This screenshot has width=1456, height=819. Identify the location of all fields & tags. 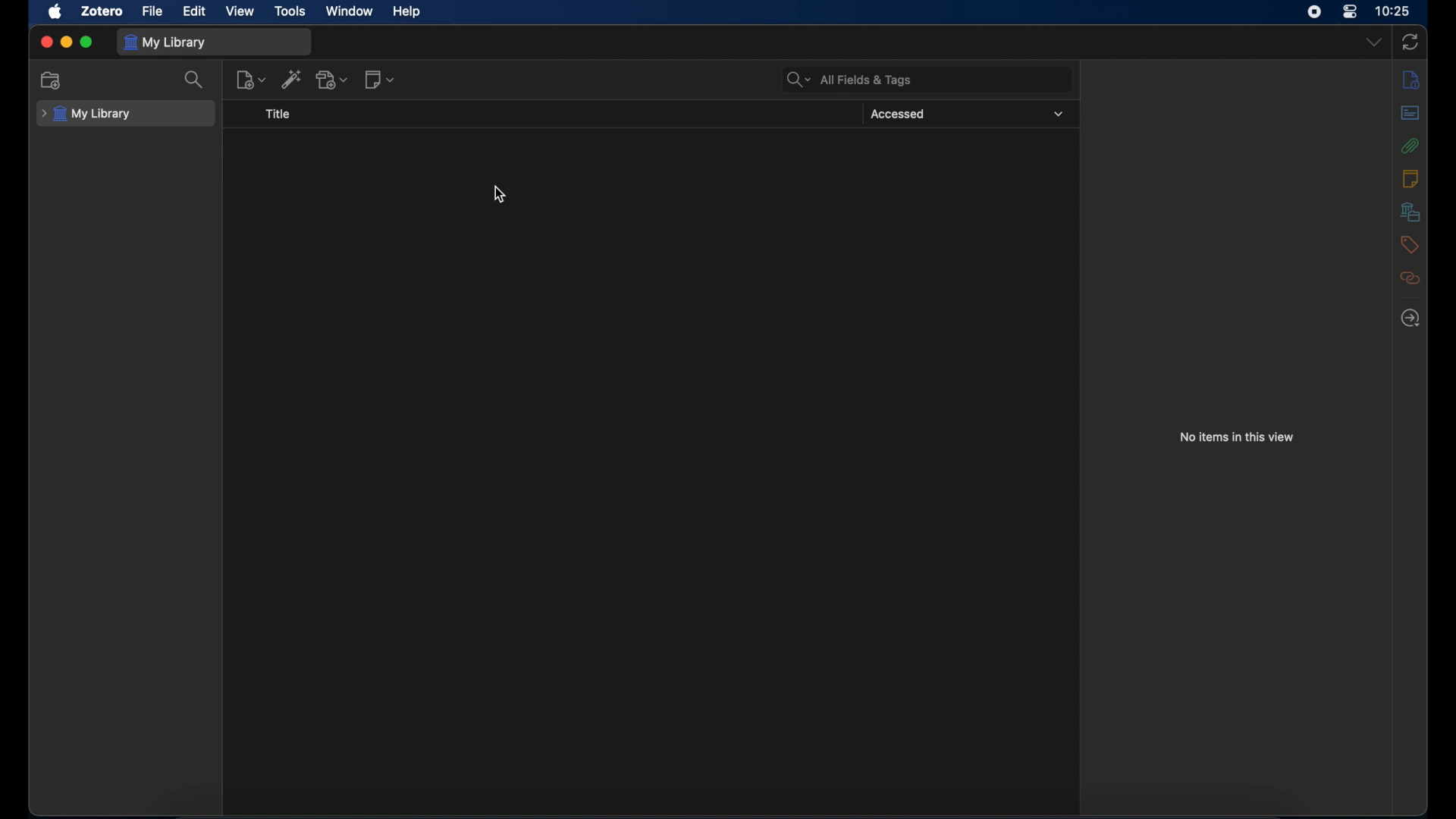
(848, 80).